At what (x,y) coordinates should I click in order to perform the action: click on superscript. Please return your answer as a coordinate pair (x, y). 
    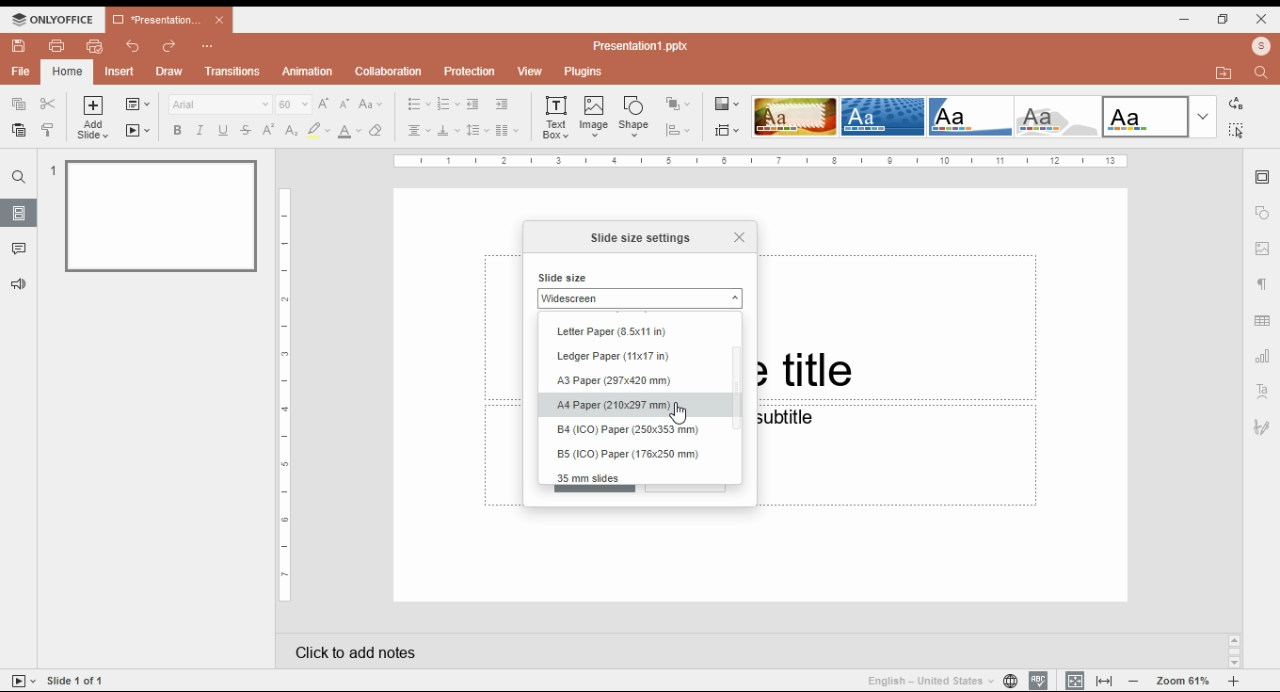
    Looking at the image, I should click on (269, 129).